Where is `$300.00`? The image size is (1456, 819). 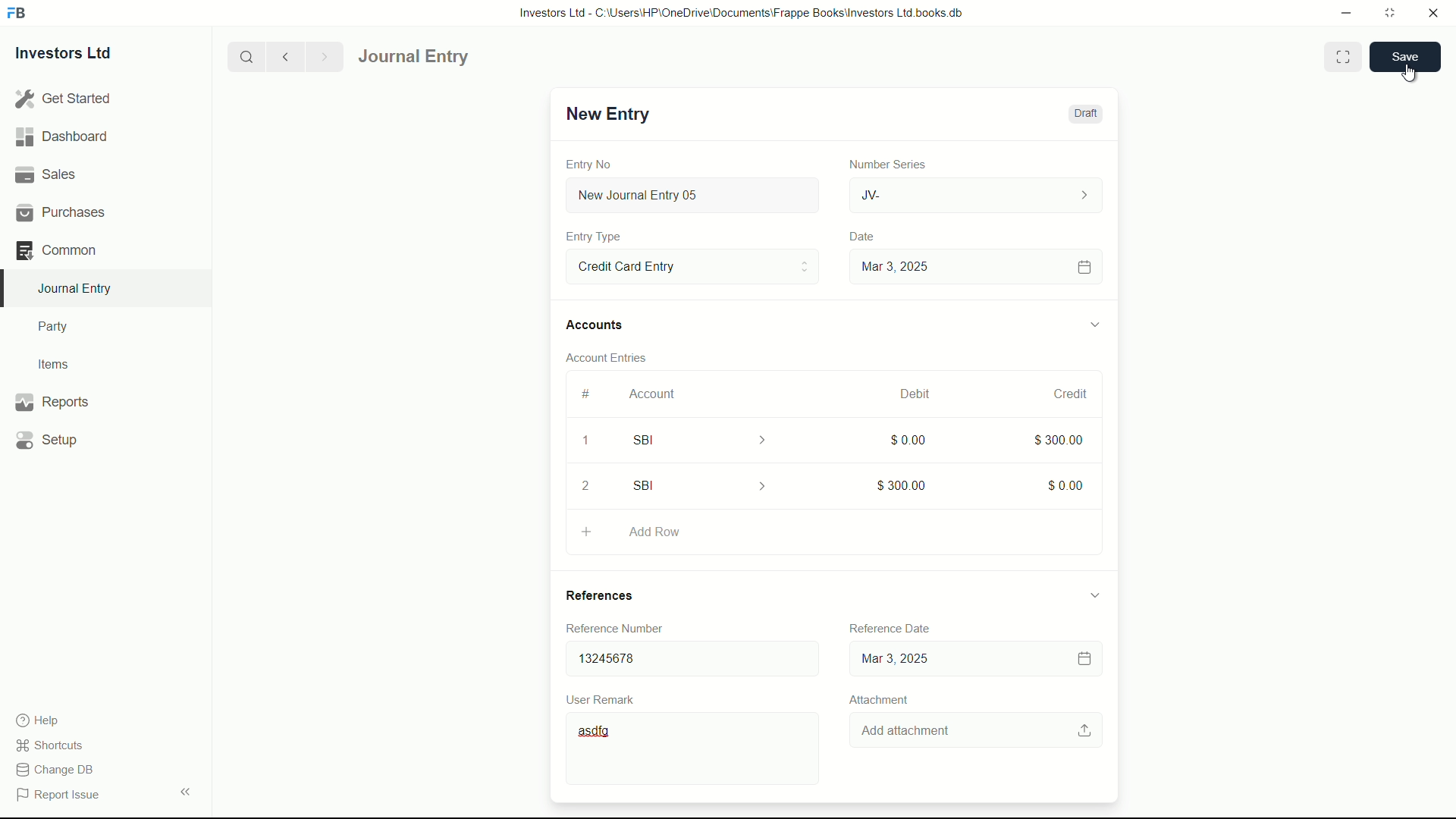
$300.00 is located at coordinates (902, 482).